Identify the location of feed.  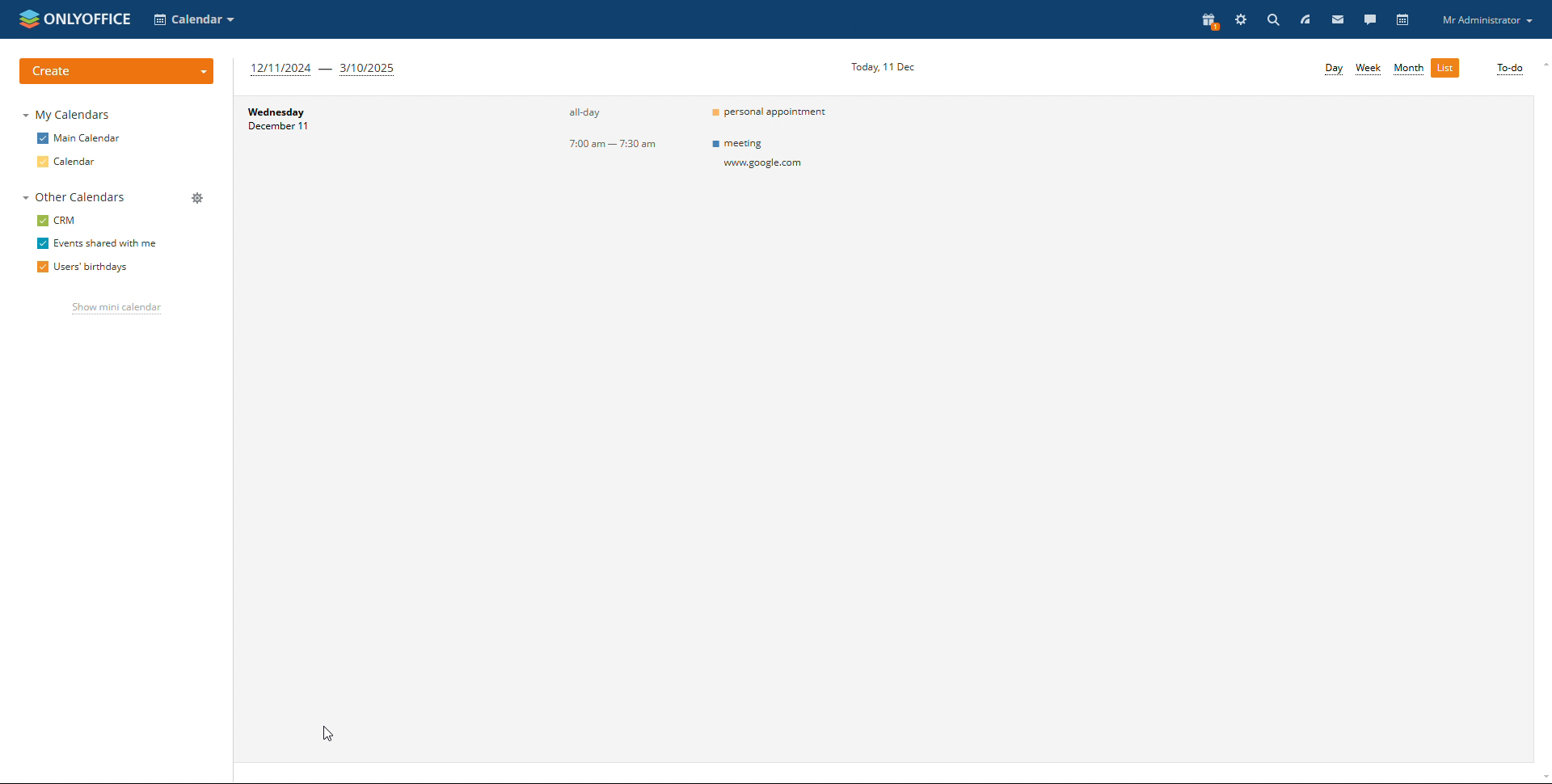
(1306, 19).